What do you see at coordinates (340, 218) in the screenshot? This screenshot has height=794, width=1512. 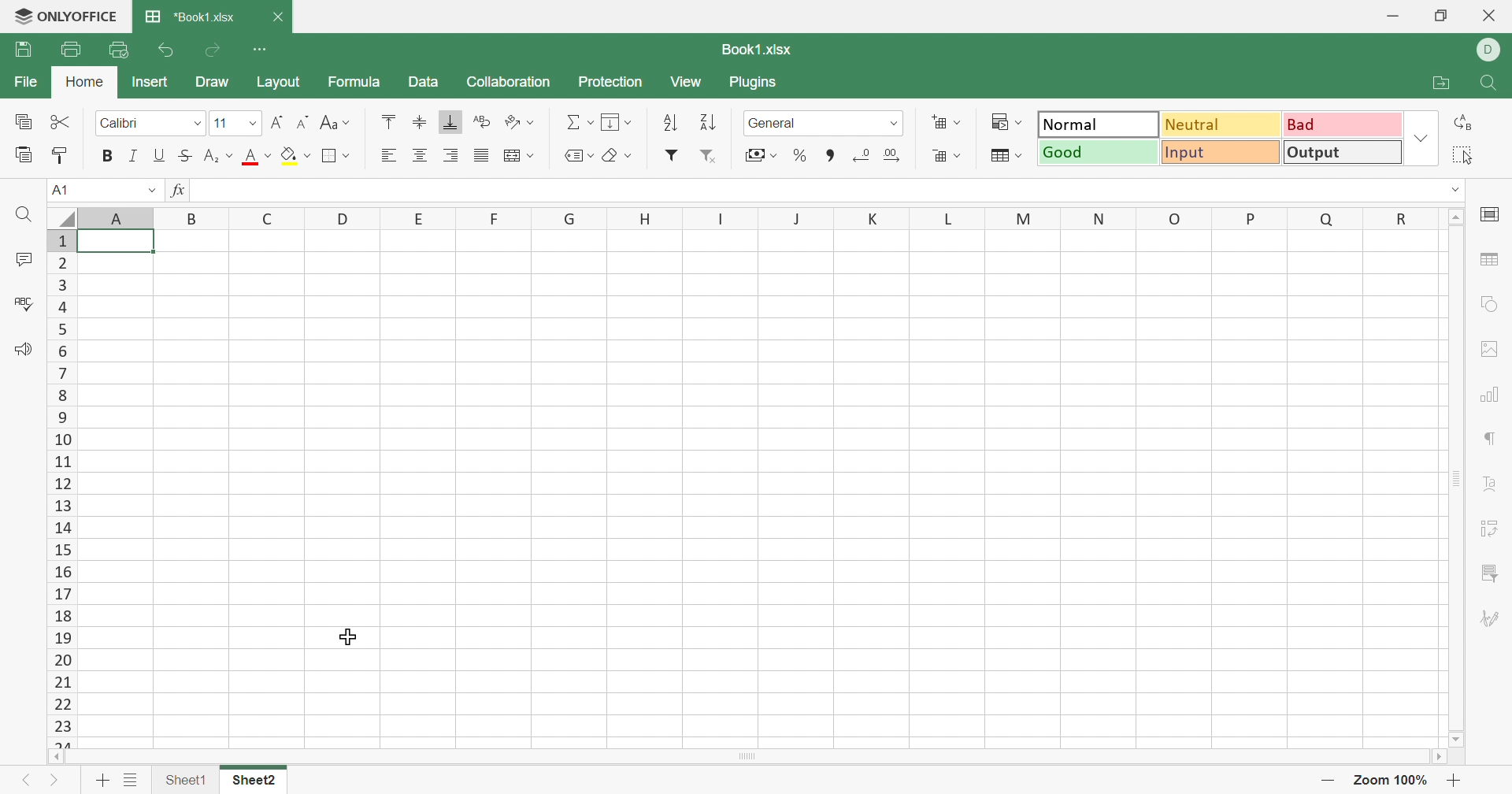 I see `D` at bounding box center [340, 218].